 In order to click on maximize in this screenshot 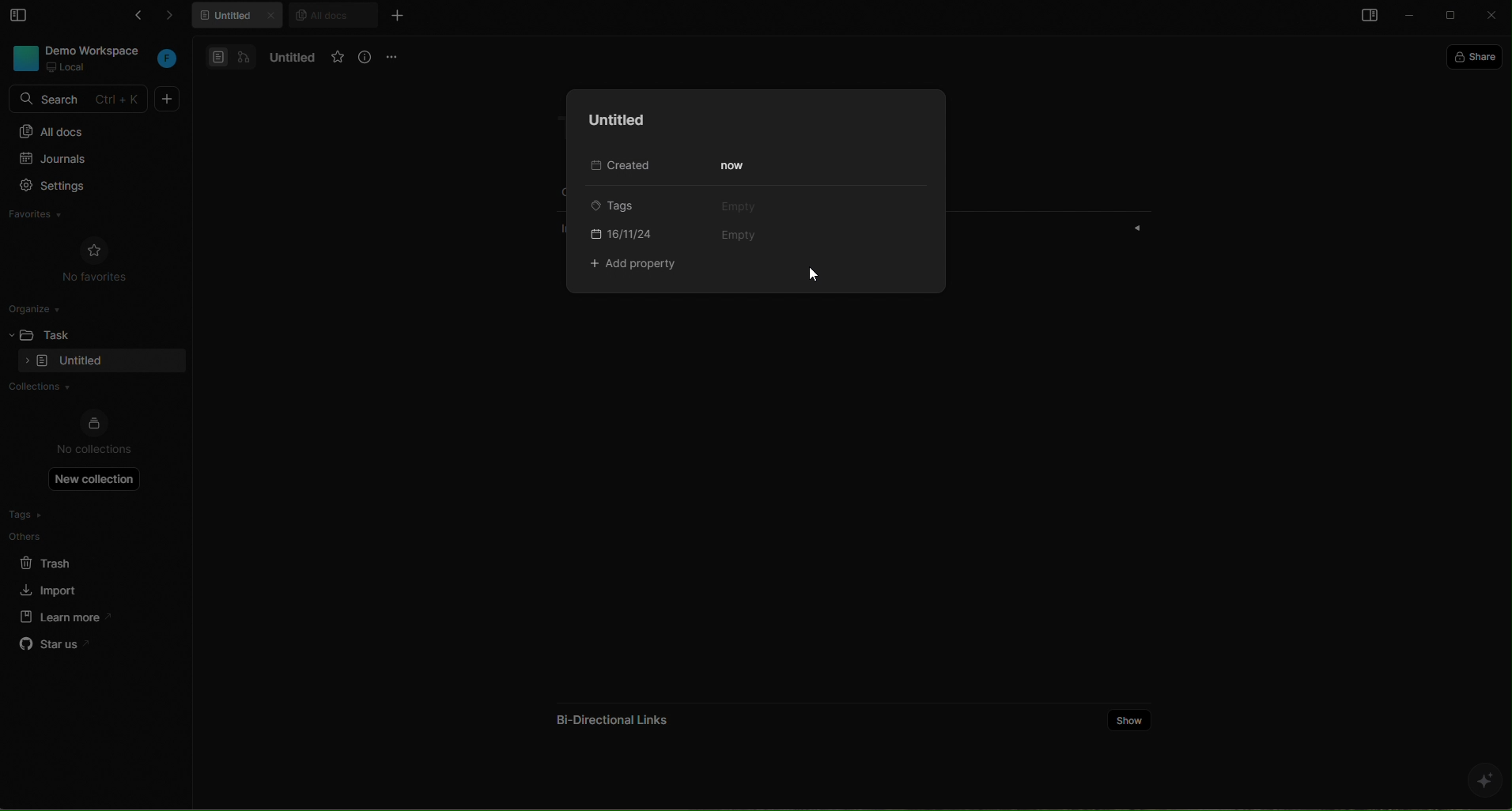, I will do `click(1453, 17)`.